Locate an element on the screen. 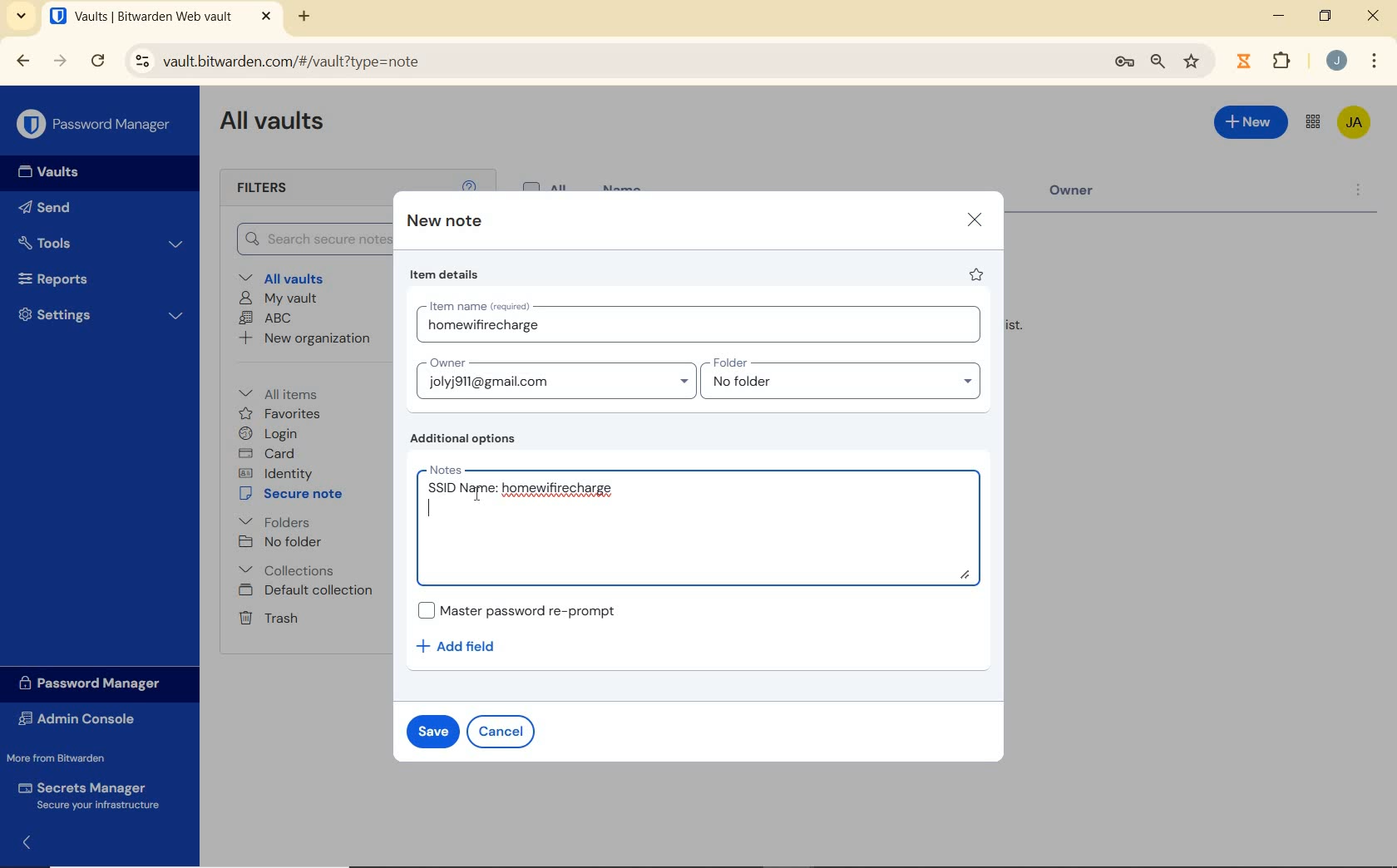 This screenshot has height=868, width=1397. extensions is located at coordinates (1242, 62).